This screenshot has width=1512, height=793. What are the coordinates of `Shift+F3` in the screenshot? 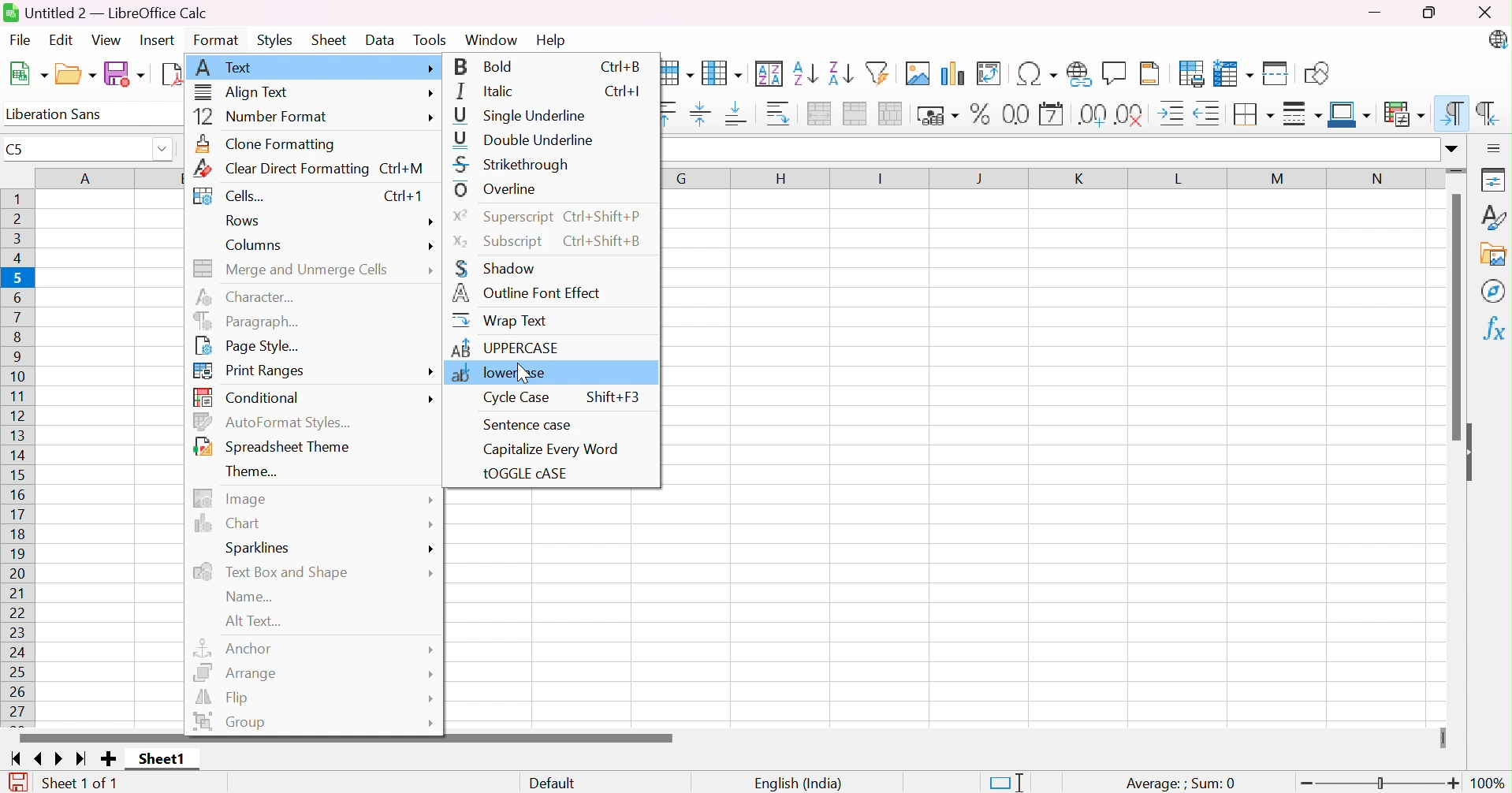 It's located at (612, 396).